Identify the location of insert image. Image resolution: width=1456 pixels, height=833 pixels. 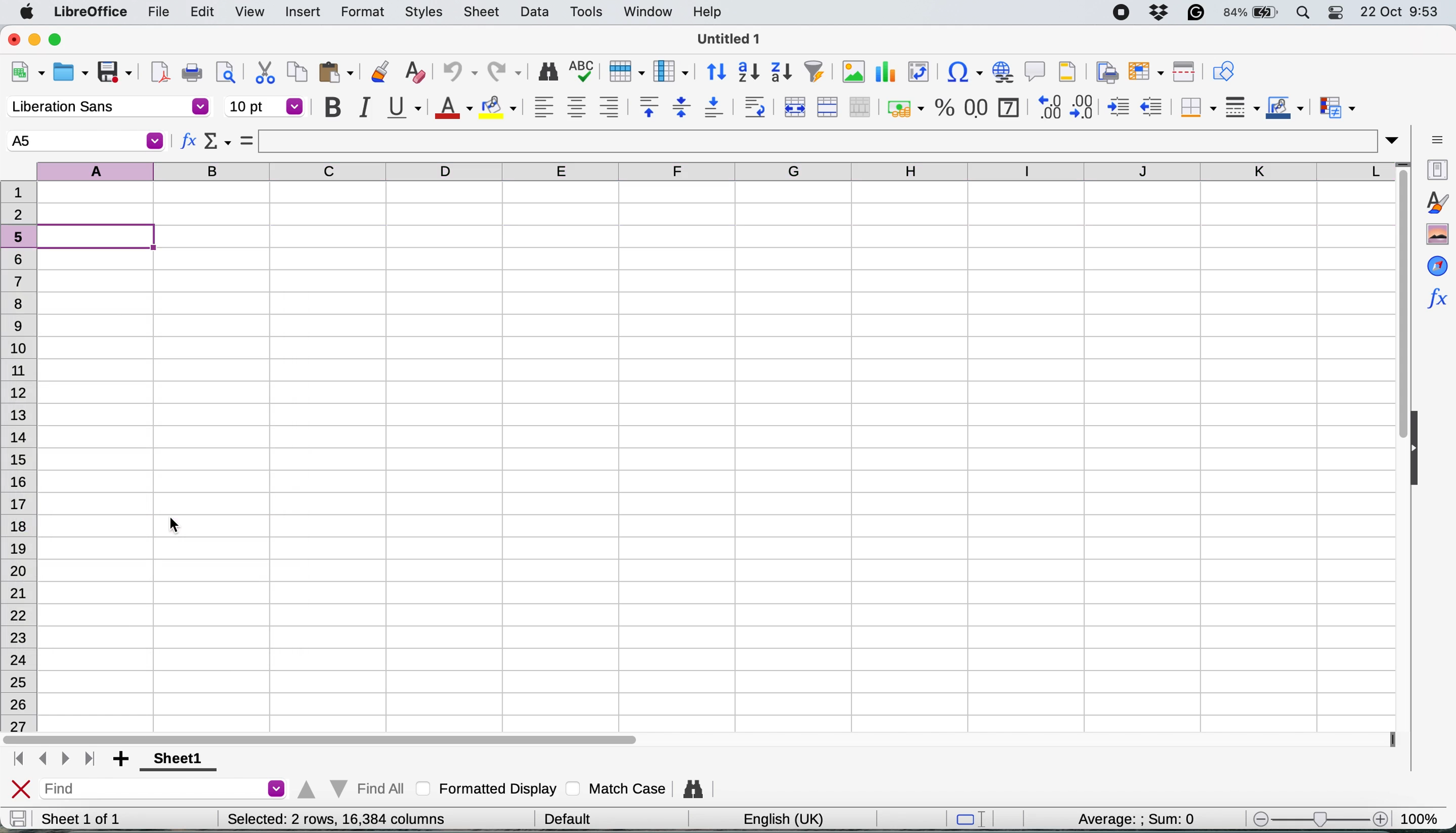
(853, 72).